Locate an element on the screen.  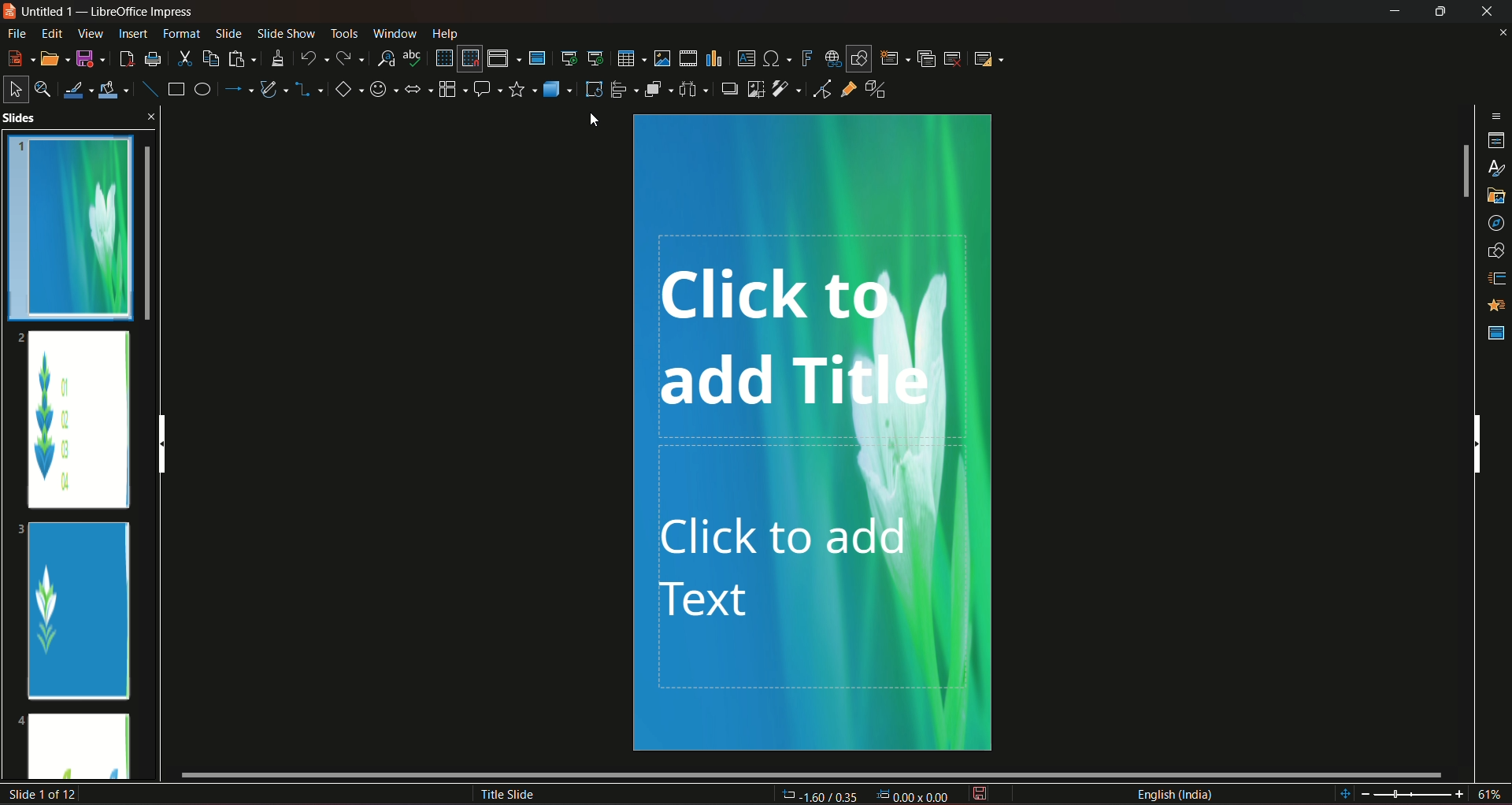
show draw functions is located at coordinates (858, 57).